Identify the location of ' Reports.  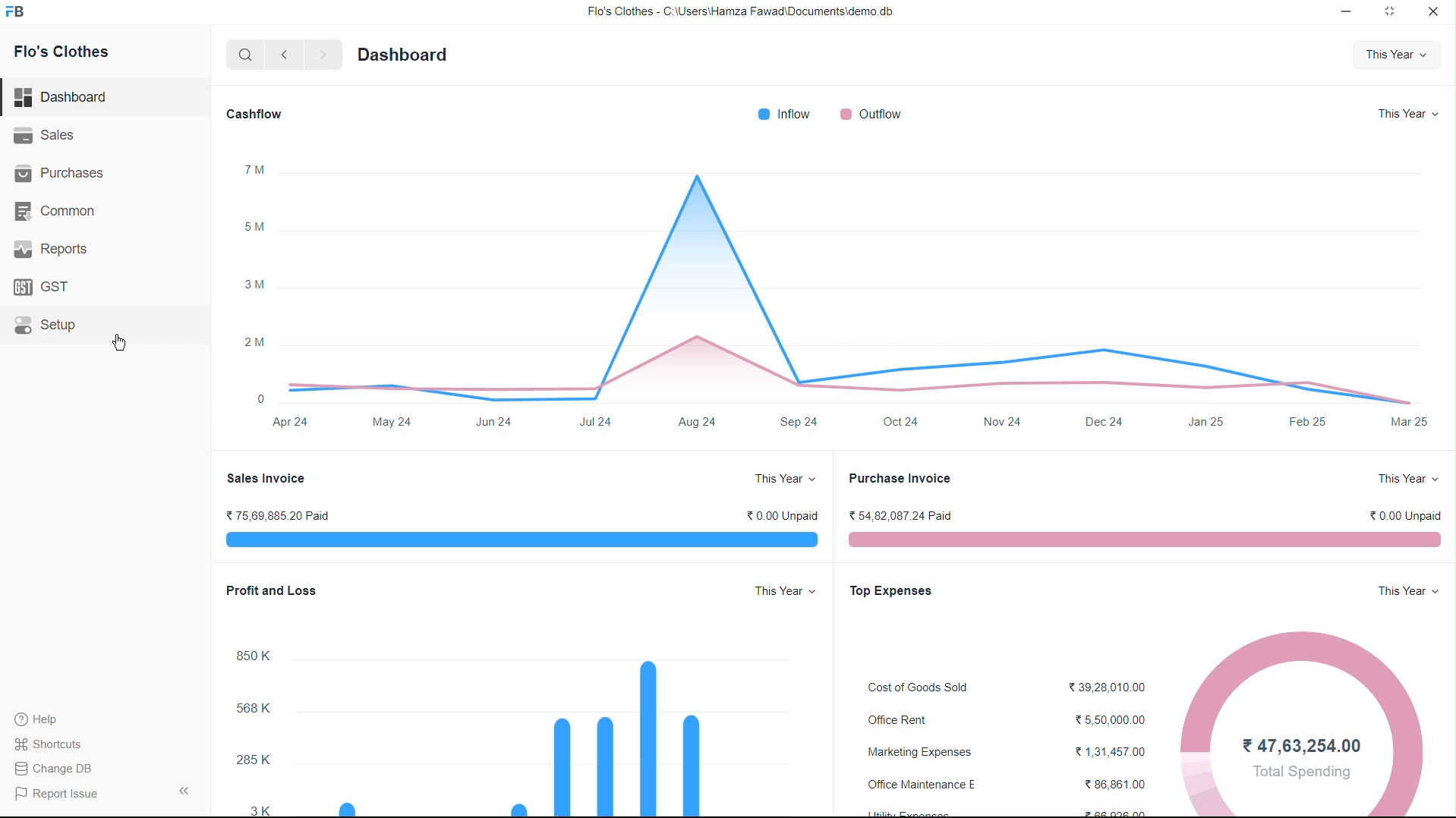
(54, 248).